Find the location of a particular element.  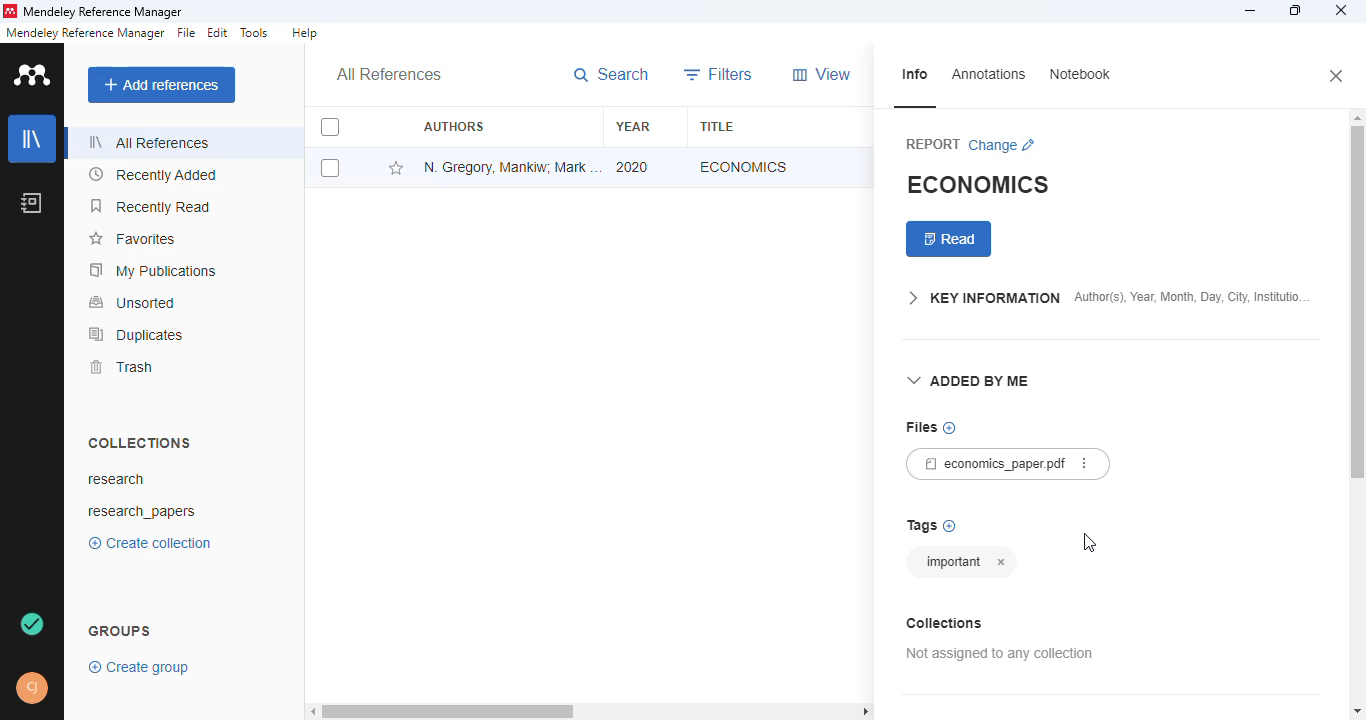

year is located at coordinates (633, 126).